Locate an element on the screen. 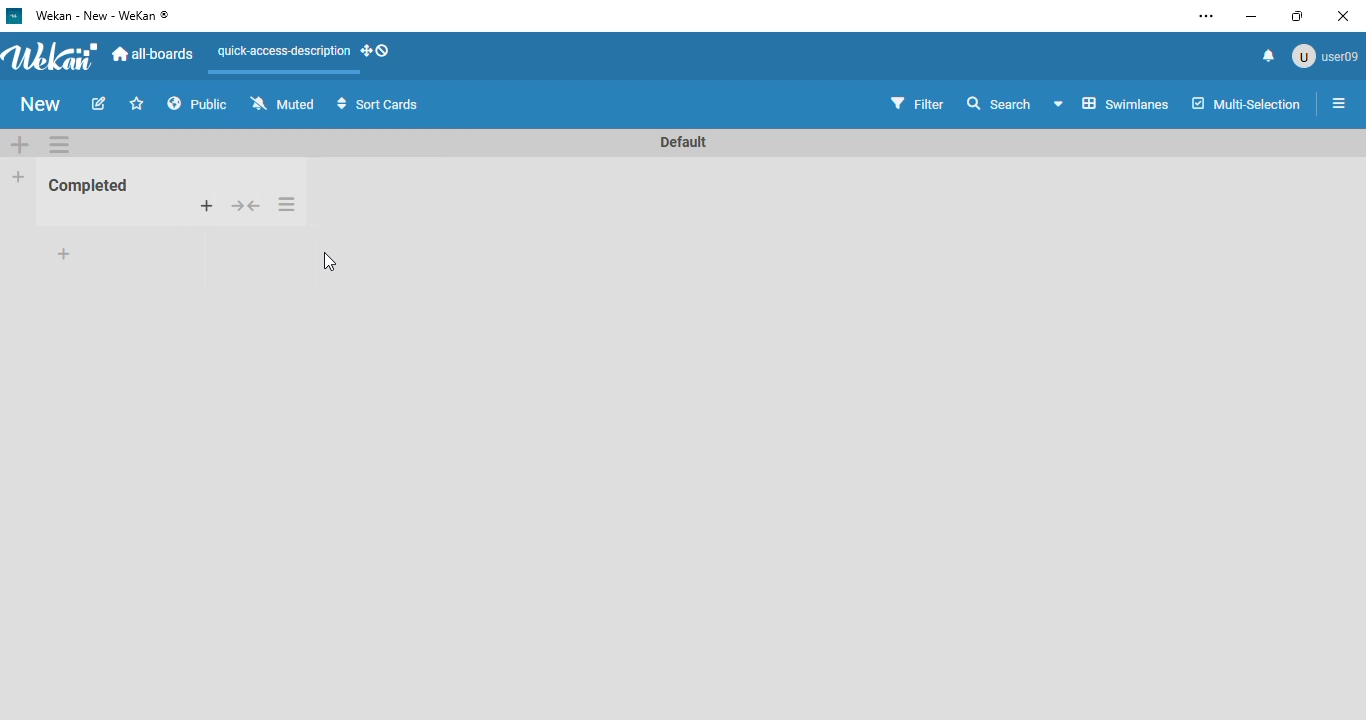  minimize is located at coordinates (1252, 16).